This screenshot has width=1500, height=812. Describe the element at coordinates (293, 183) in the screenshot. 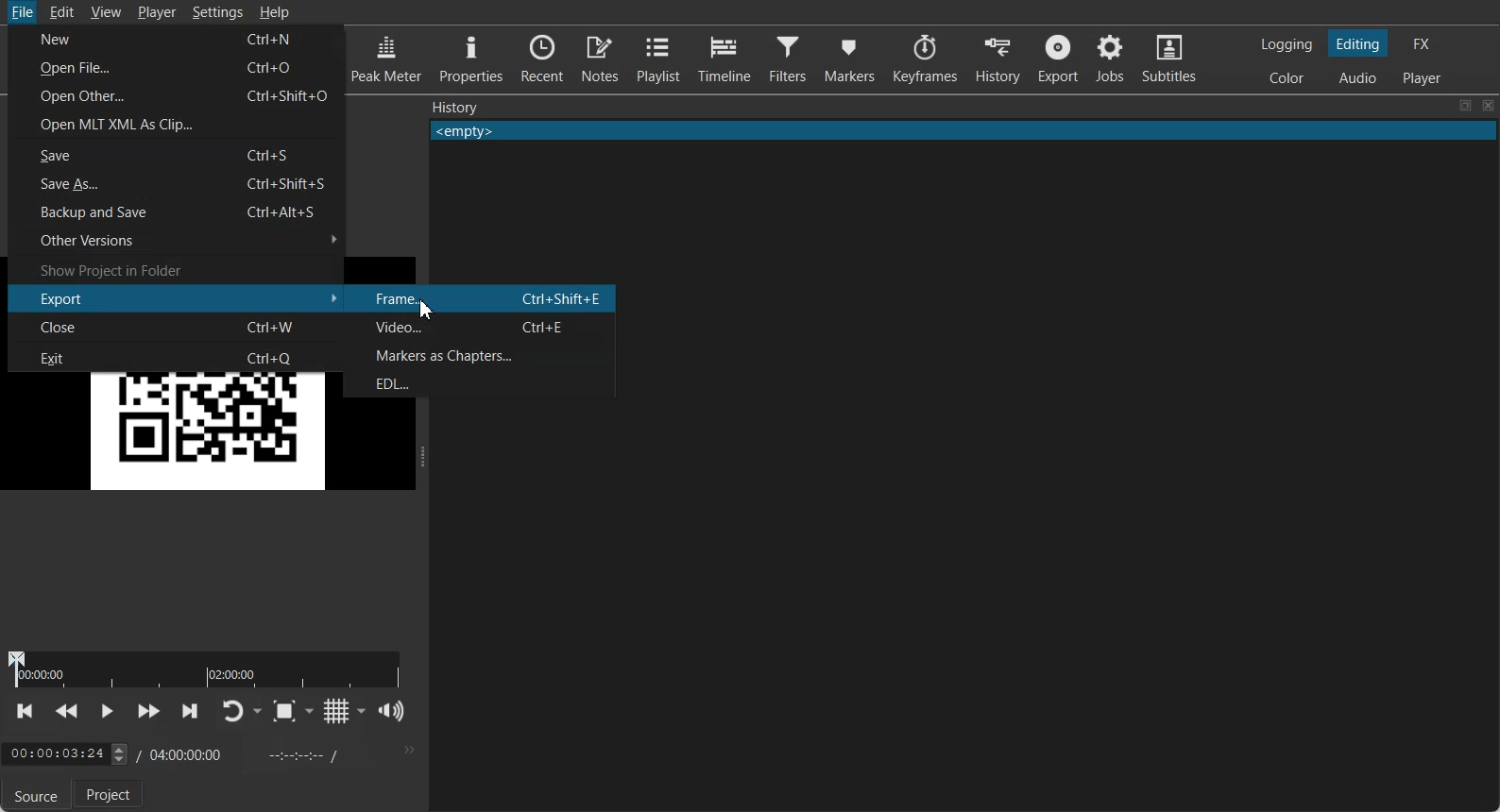

I see `Ctrl+Shift+S` at that location.